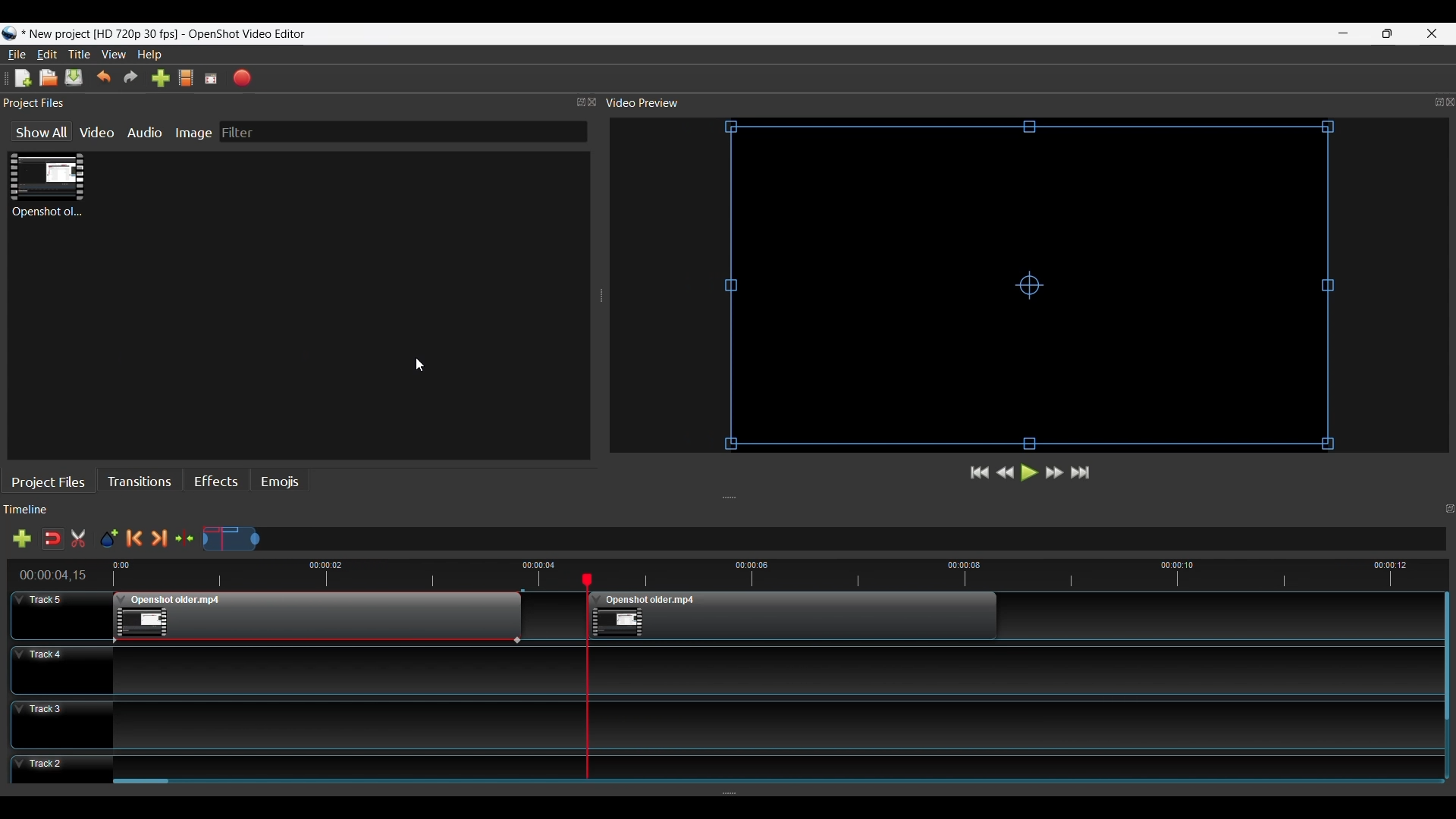 This screenshot has height=819, width=1456. I want to click on Openshot Desktop icon, so click(9, 34).